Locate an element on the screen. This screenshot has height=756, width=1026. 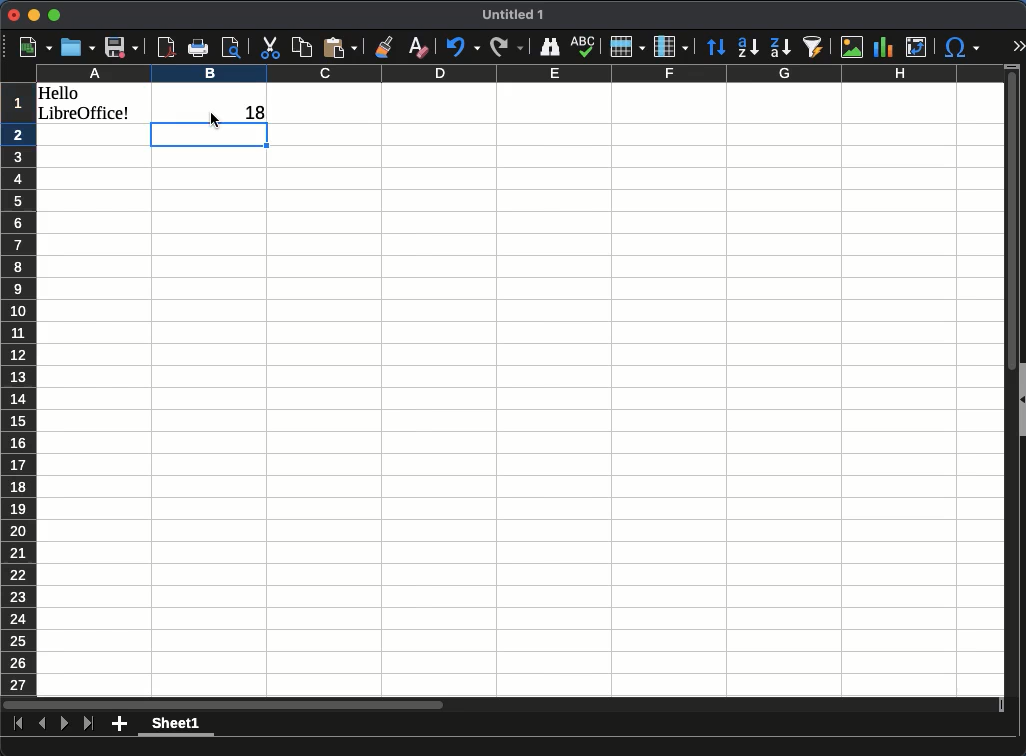
redo is located at coordinates (507, 45).